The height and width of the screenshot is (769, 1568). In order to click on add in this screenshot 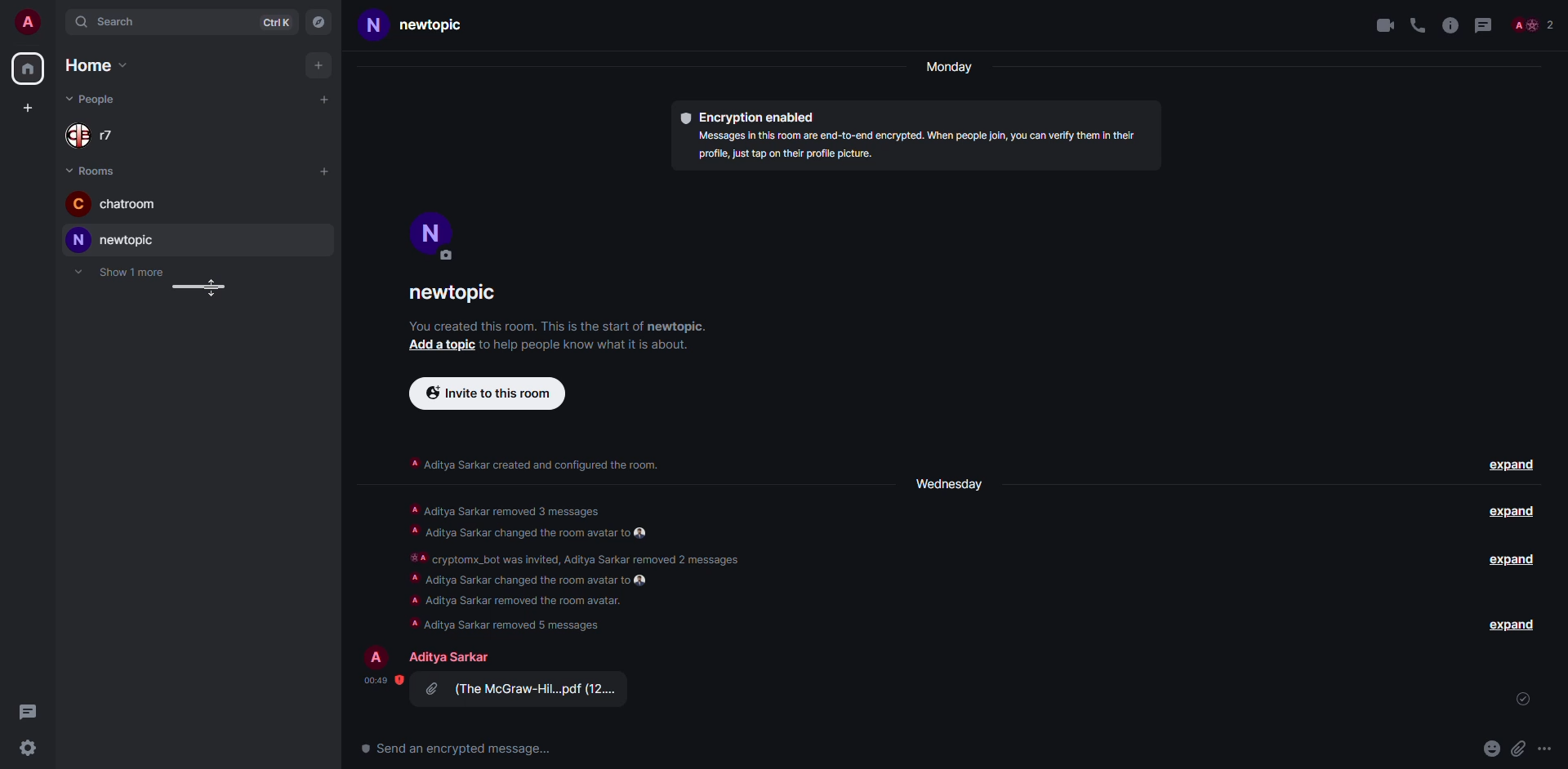, I will do `click(318, 65)`.